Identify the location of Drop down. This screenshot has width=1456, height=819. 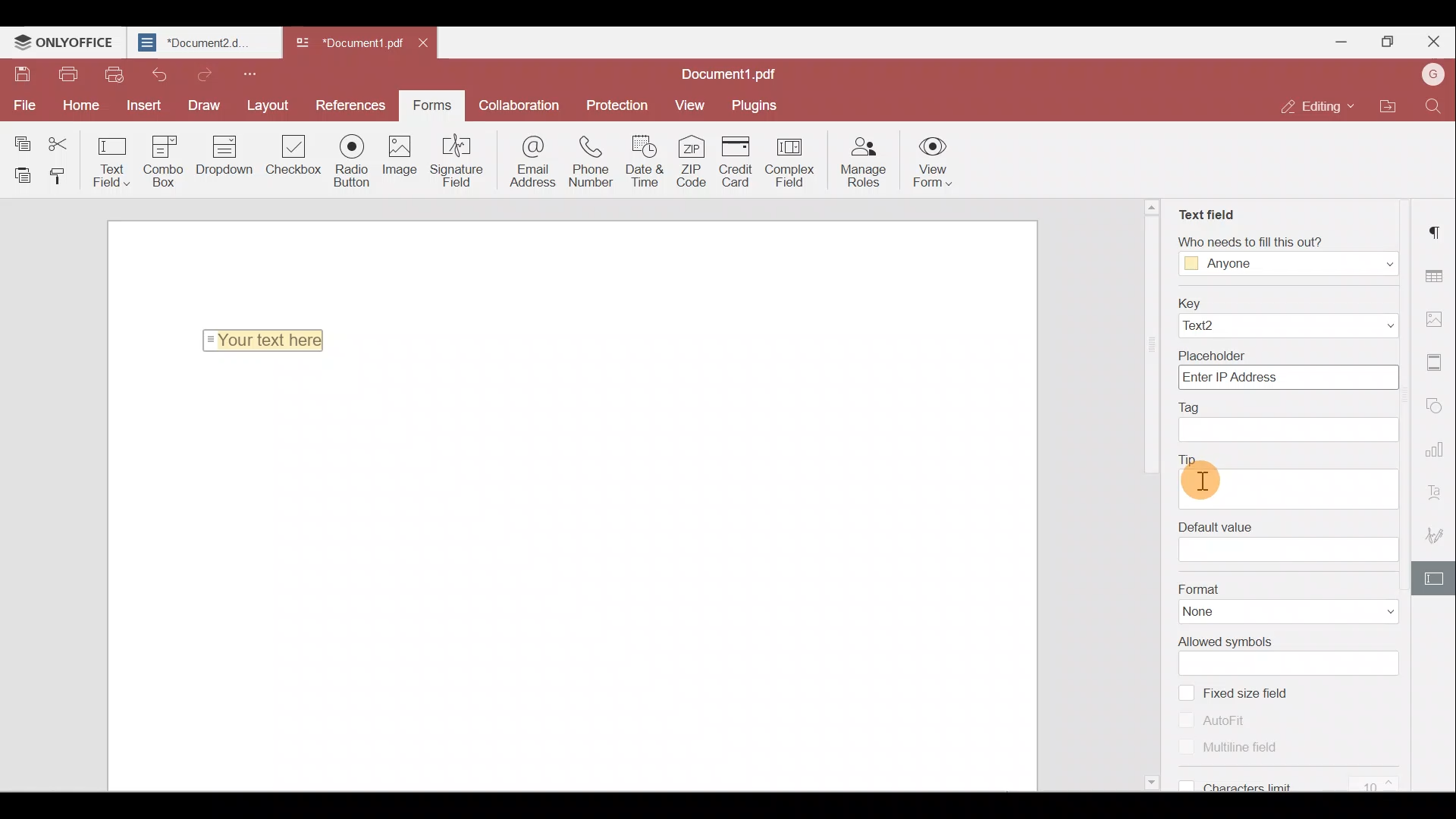
(231, 157).